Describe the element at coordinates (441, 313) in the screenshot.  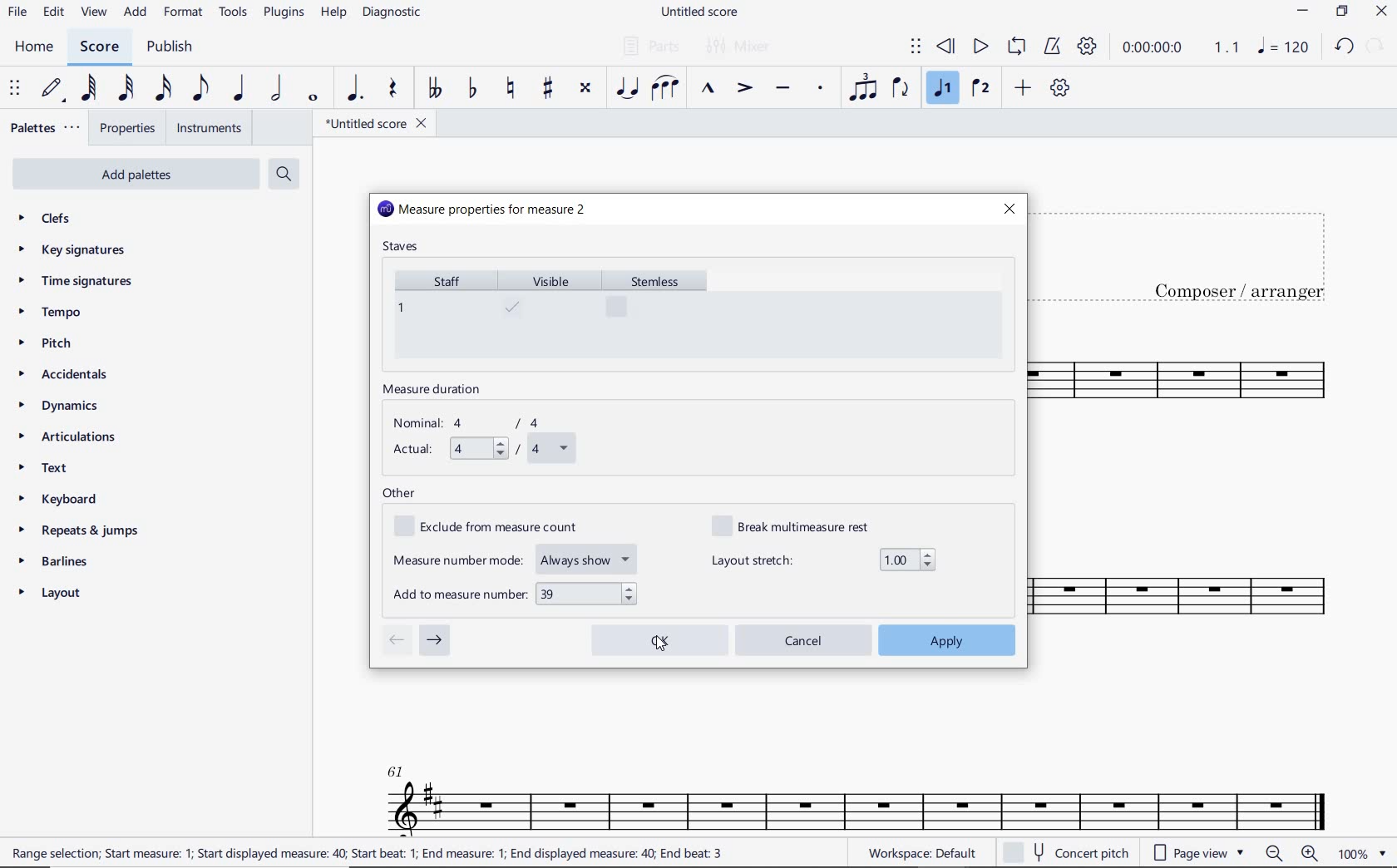
I see `staff` at that location.